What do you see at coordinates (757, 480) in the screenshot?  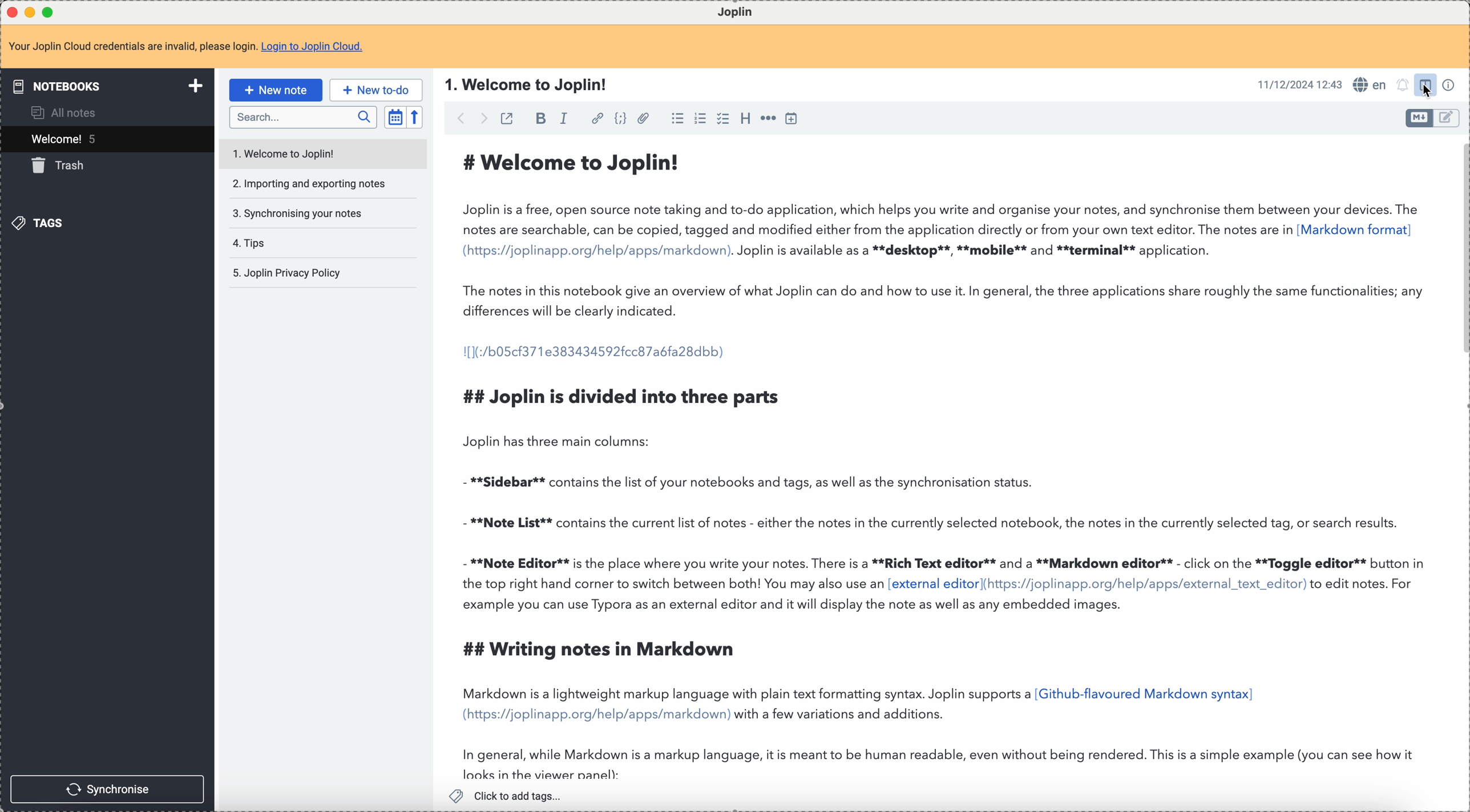 I see `- **Sidebar** contains the list of your notebooks and tags, as well as the synchronisation status.` at bounding box center [757, 480].